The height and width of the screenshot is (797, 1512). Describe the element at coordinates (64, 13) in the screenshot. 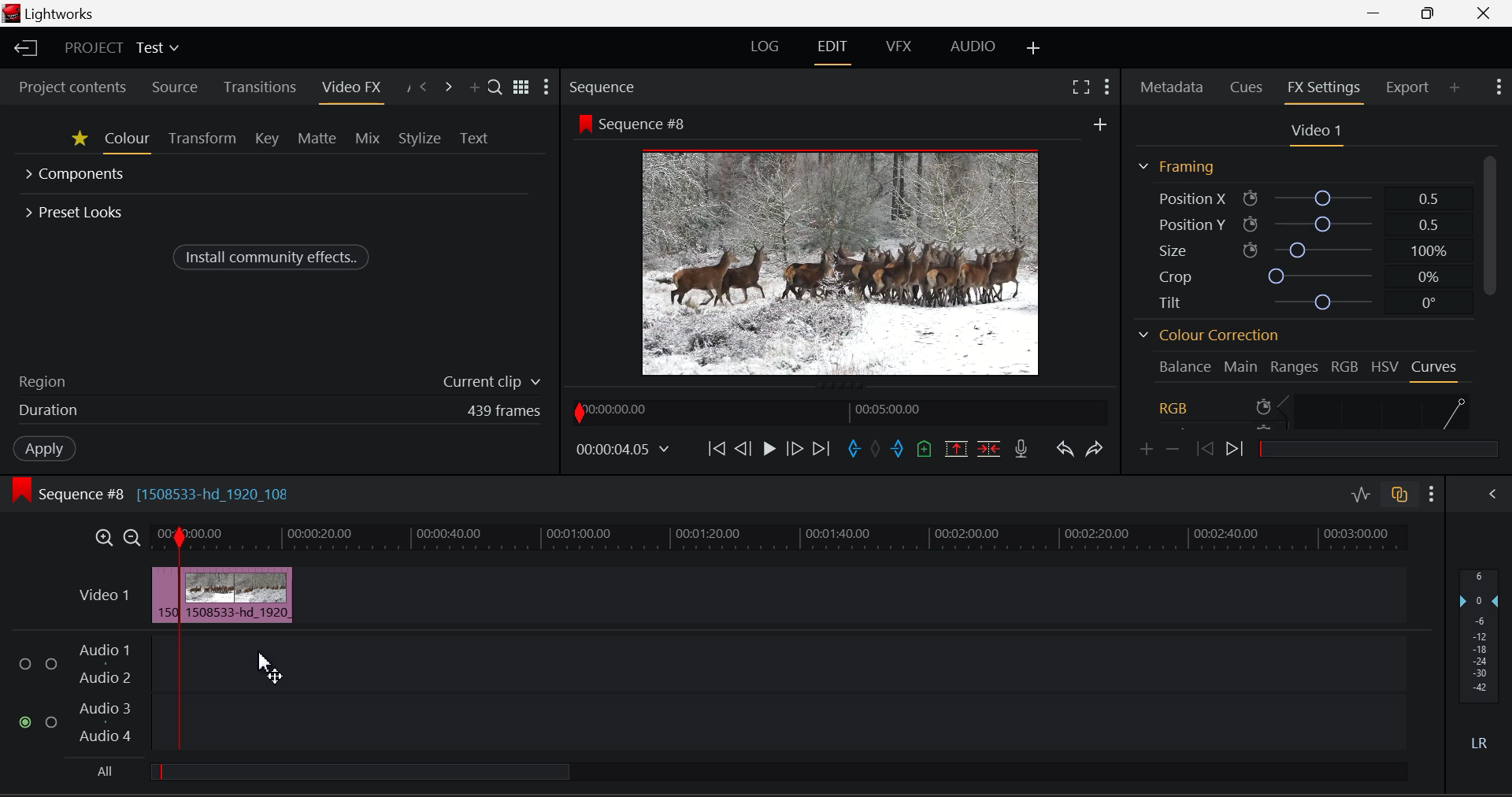

I see `Lightworks` at that location.